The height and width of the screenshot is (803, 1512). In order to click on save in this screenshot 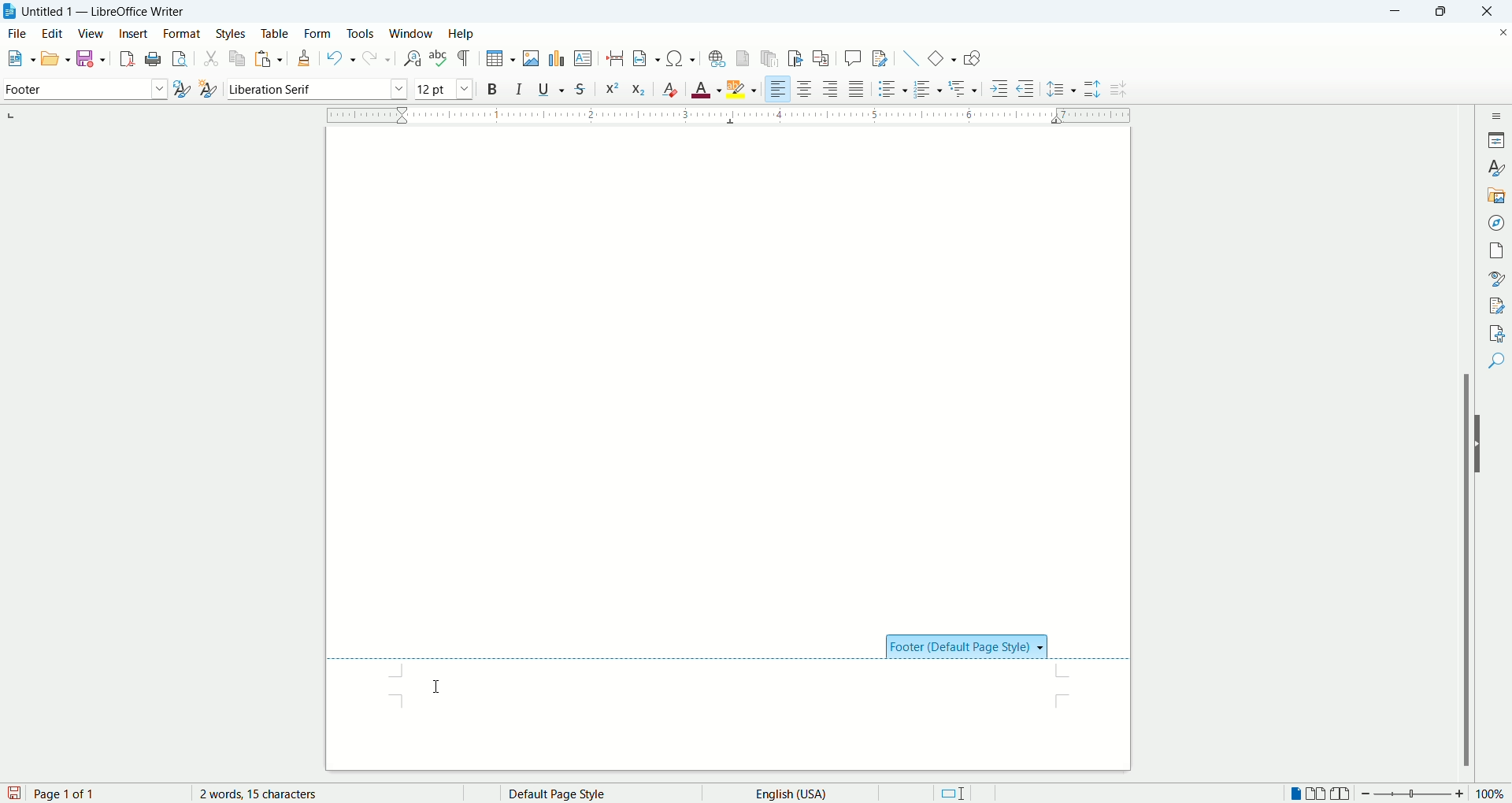, I will do `click(14, 792)`.